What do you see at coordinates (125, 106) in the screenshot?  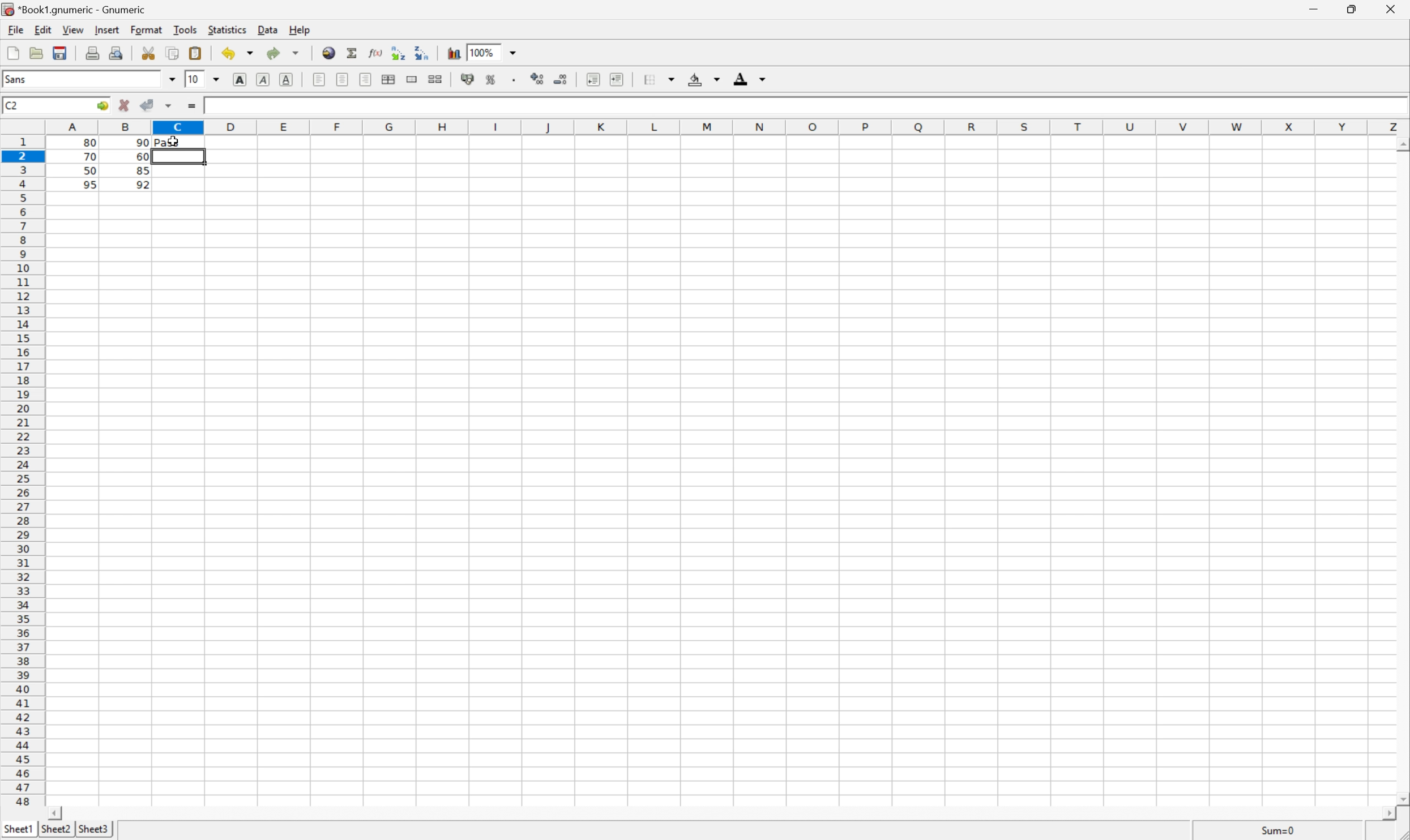 I see `Cancel changes` at bounding box center [125, 106].